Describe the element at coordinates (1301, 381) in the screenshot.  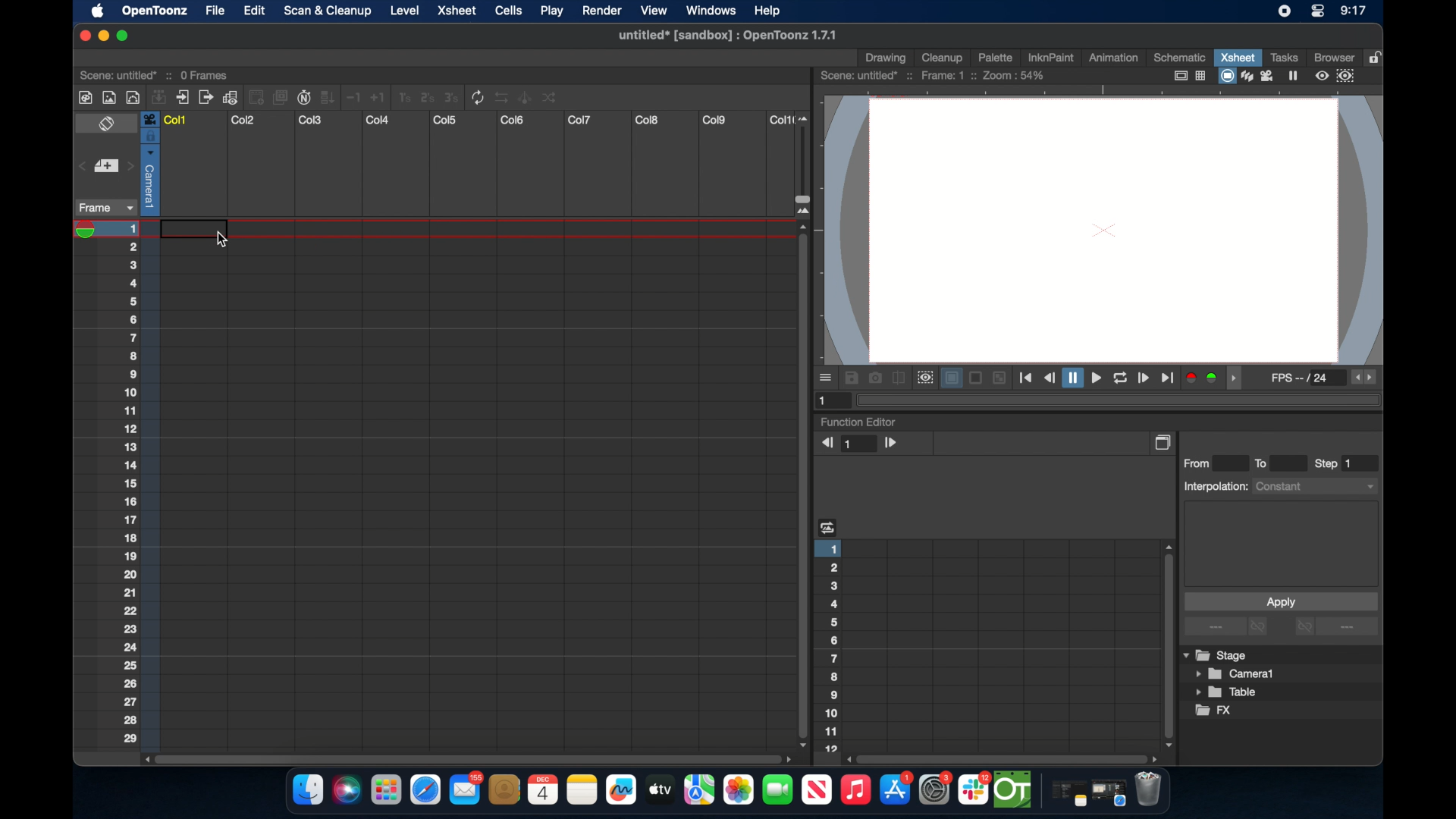
I see `fps` at that location.